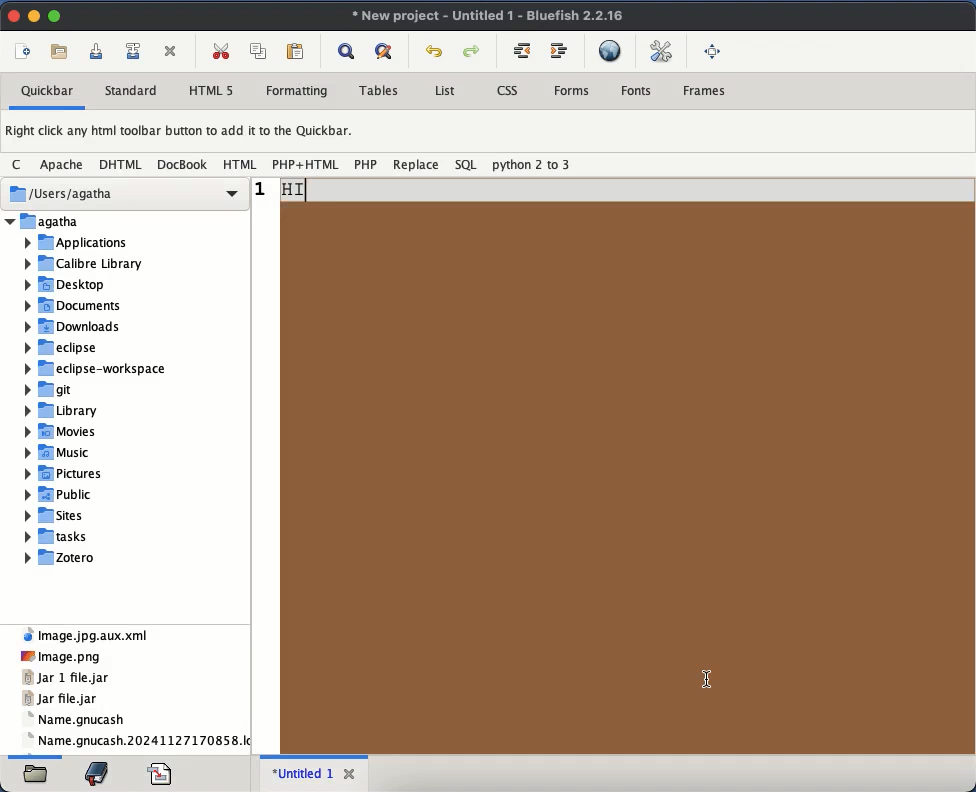 Image resolution: width=976 pixels, height=792 pixels. Describe the element at coordinates (306, 164) in the screenshot. I see `php+html` at that location.